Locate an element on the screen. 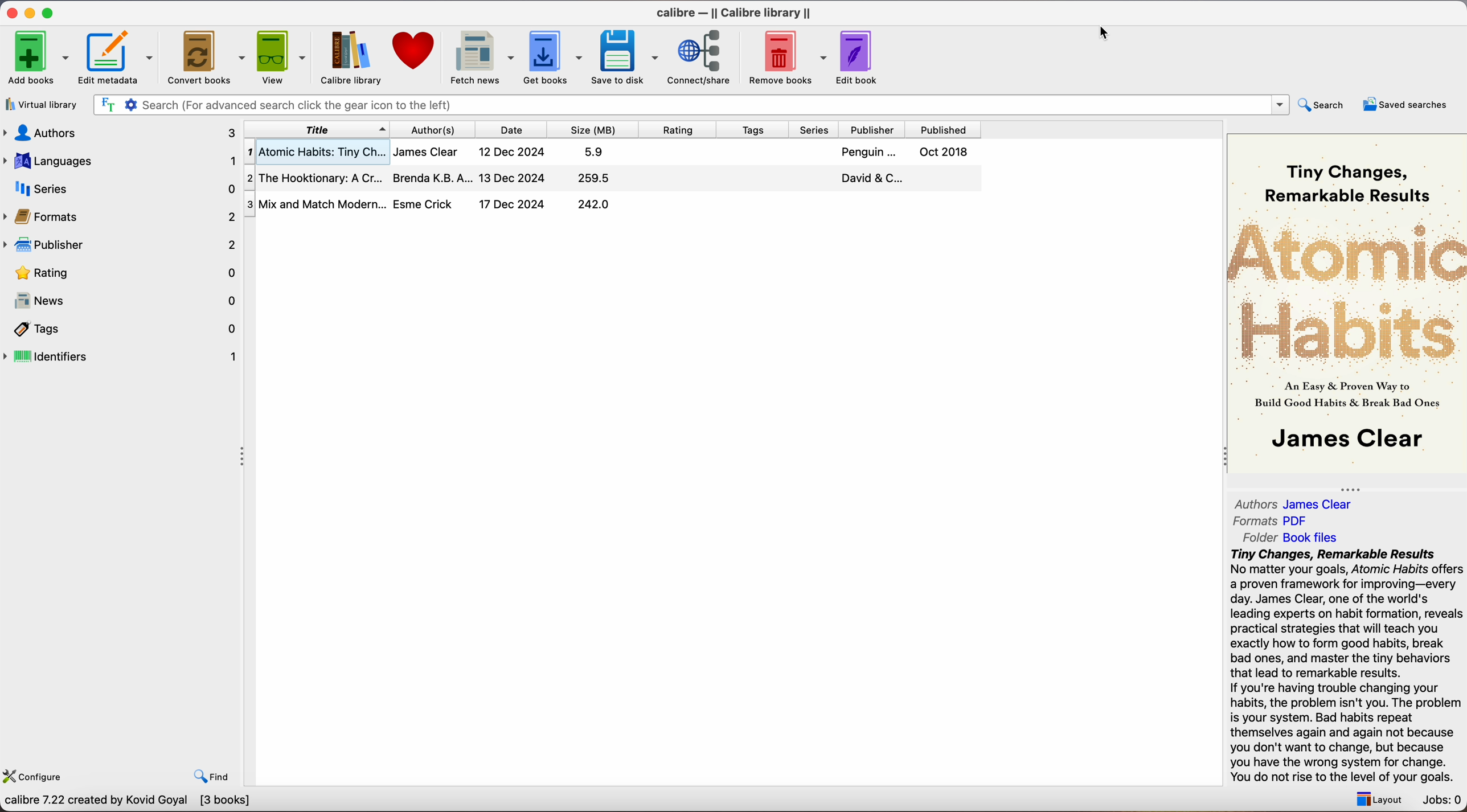 The width and height of the screenshot is (1467, 812). tags is located at coordinates (755, 130).